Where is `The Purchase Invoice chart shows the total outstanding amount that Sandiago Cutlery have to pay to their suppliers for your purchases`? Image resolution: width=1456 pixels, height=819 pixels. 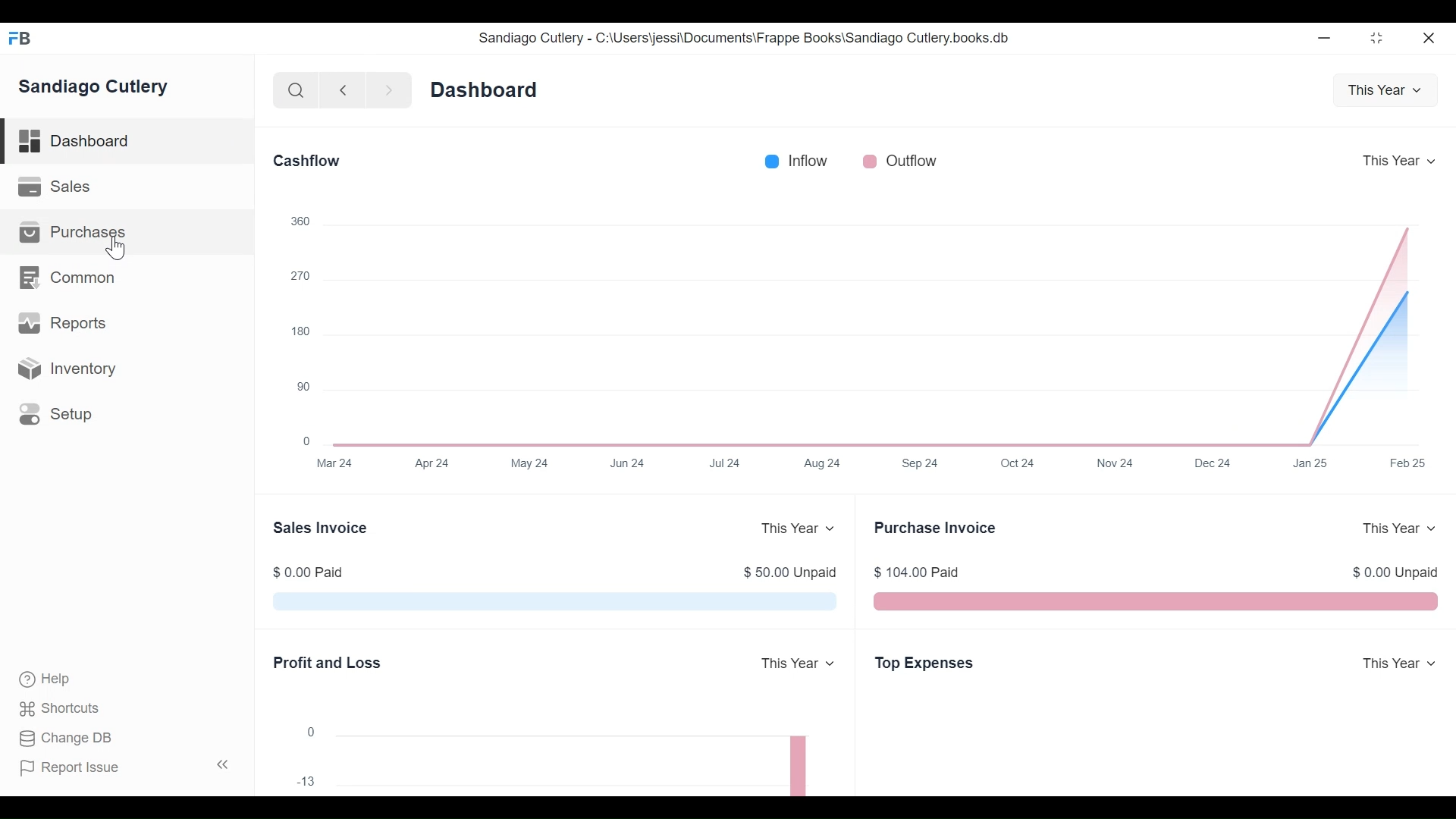
The Purchase Invoice chart shows the total outstanding amount that Sandiago Cutlery have to pay to their suppliers for your purchases is located at coordinates (1159, 602).